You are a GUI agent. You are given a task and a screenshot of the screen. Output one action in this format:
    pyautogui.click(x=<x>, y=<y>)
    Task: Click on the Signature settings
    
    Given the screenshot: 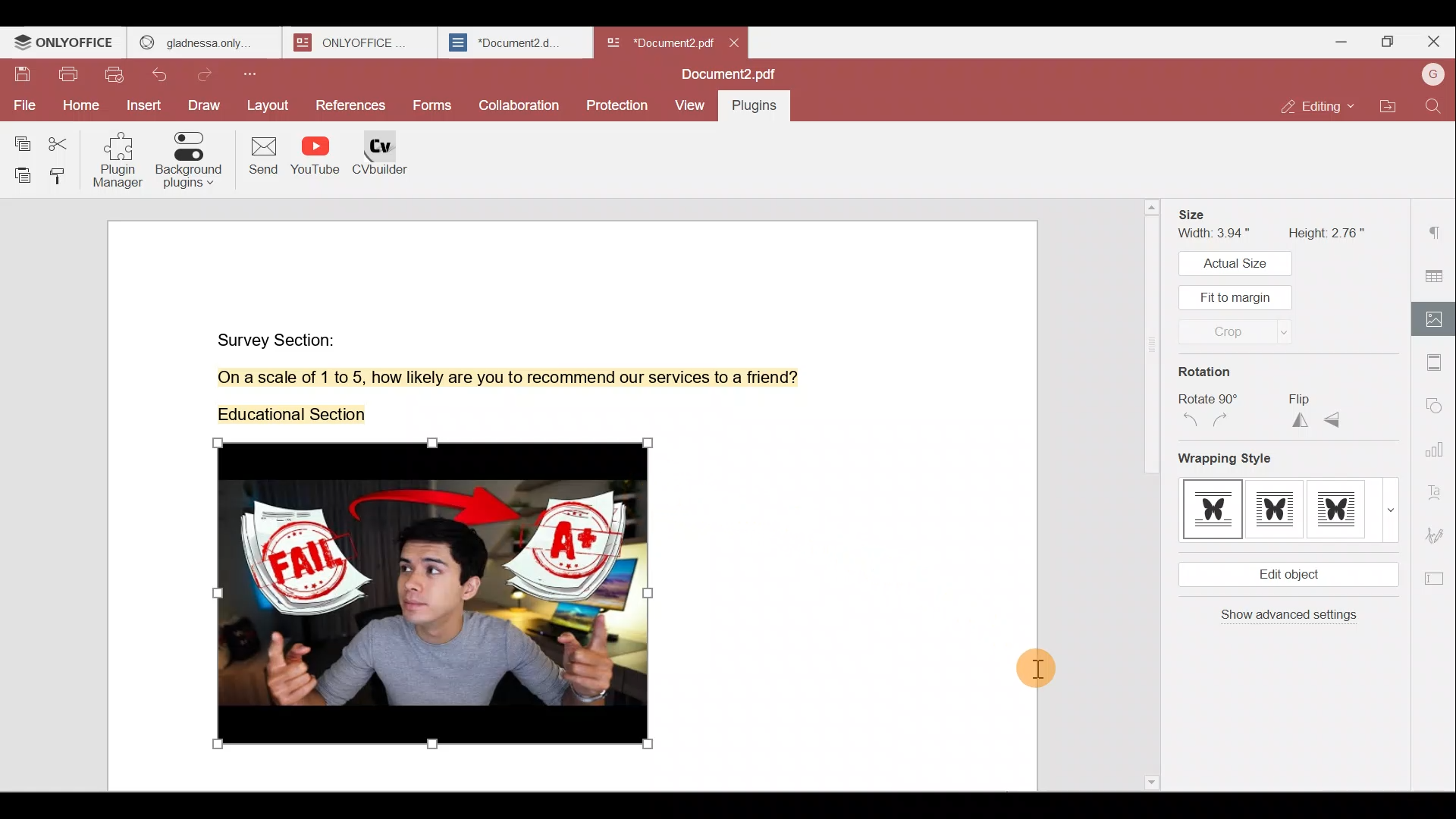 What is the action you would take?
    pyautogui.click(x=1439, y=534)
    